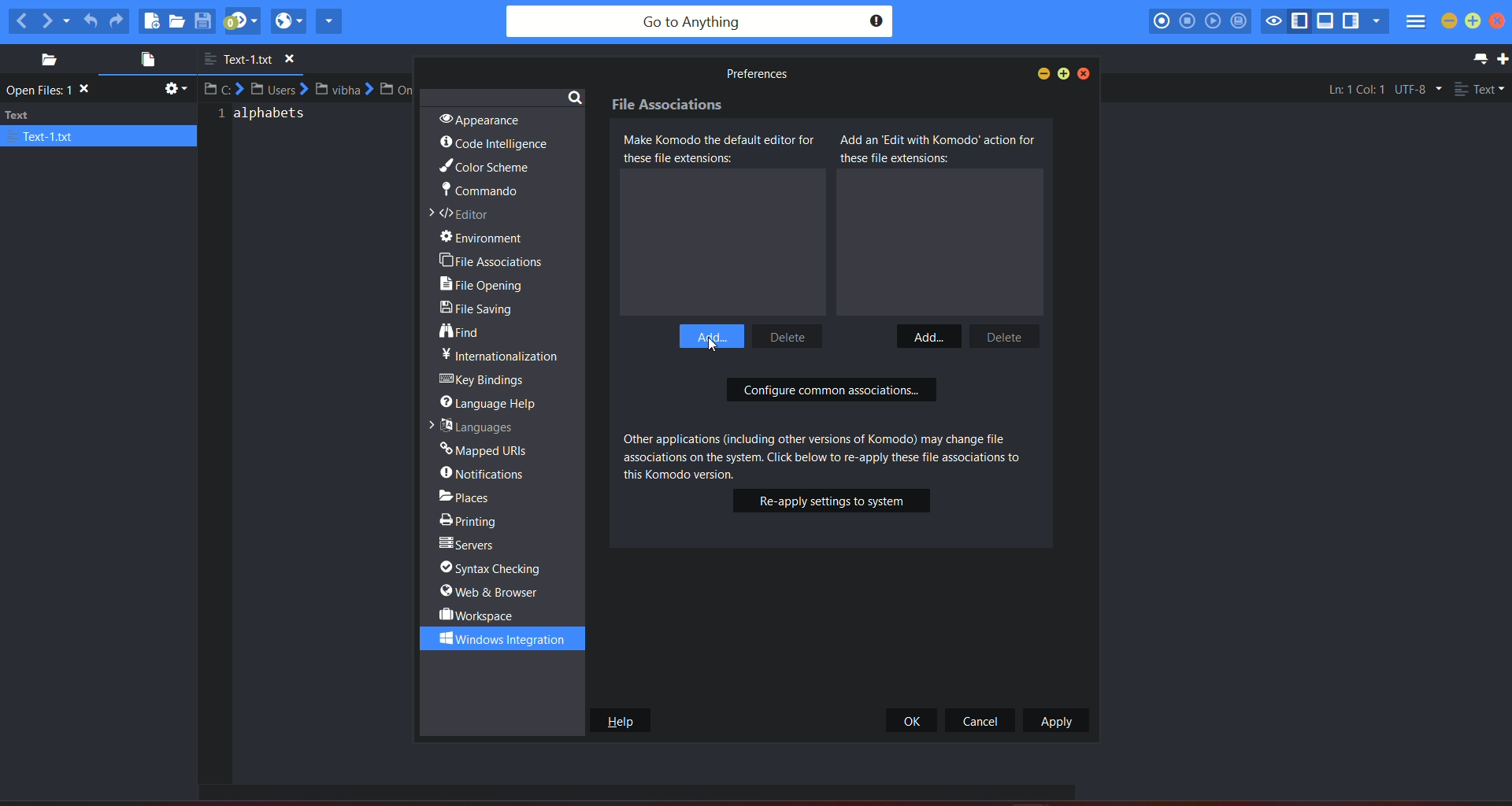  Describe the element at coordinates (500, 355) in the screenshot. I see `text` at that location.